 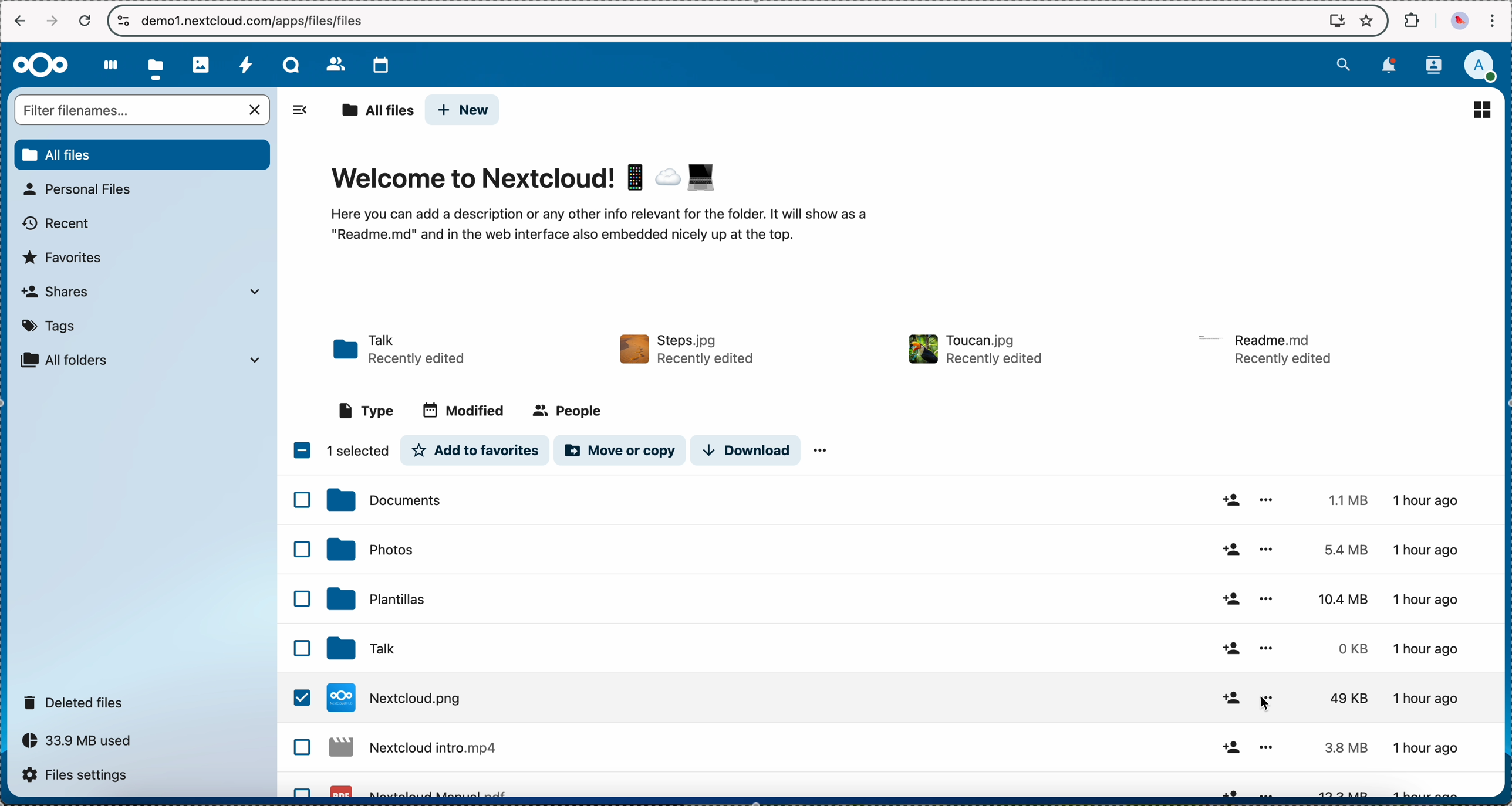 What do you see at coordinates (81, 740) in the screenshot?
I see `33.9 MB used` at bounding box center [81, 740].